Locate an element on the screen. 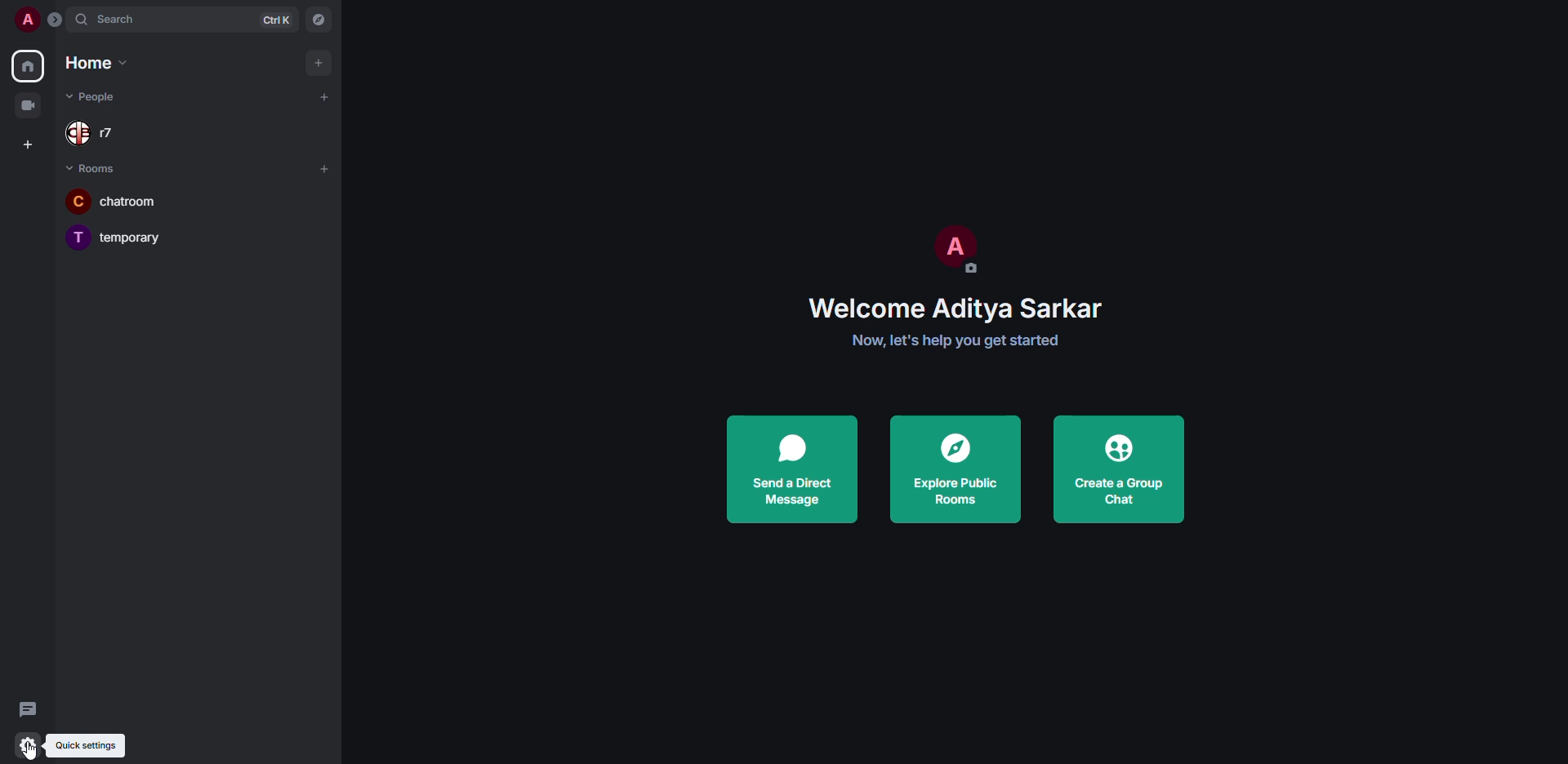 The width and height of the screenshot is (1568, 764). quick settings is located at coordinates (89, 745).